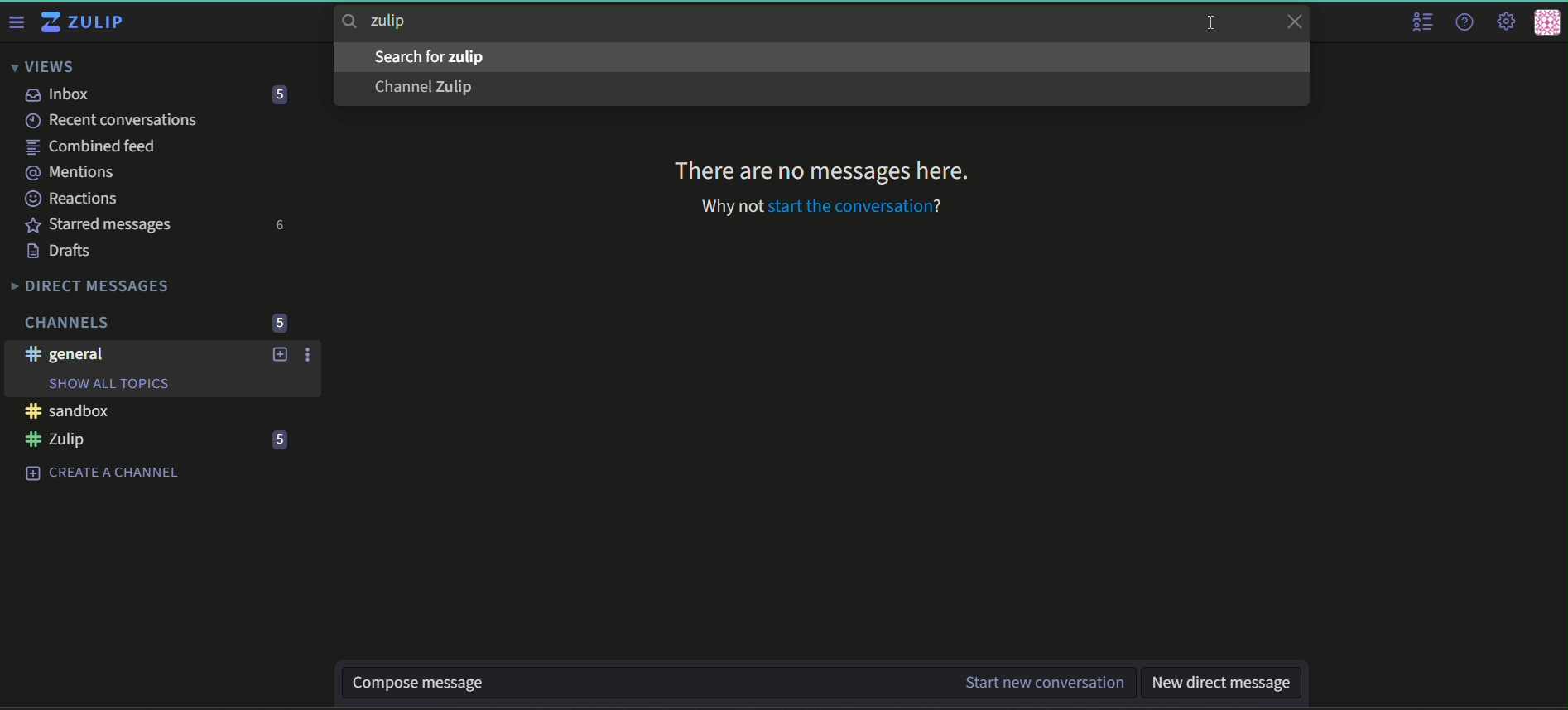  What do you see at coordinates (92, 286) in the screenshot?
I see `Direct Messages` at bounding box center [92, 286].